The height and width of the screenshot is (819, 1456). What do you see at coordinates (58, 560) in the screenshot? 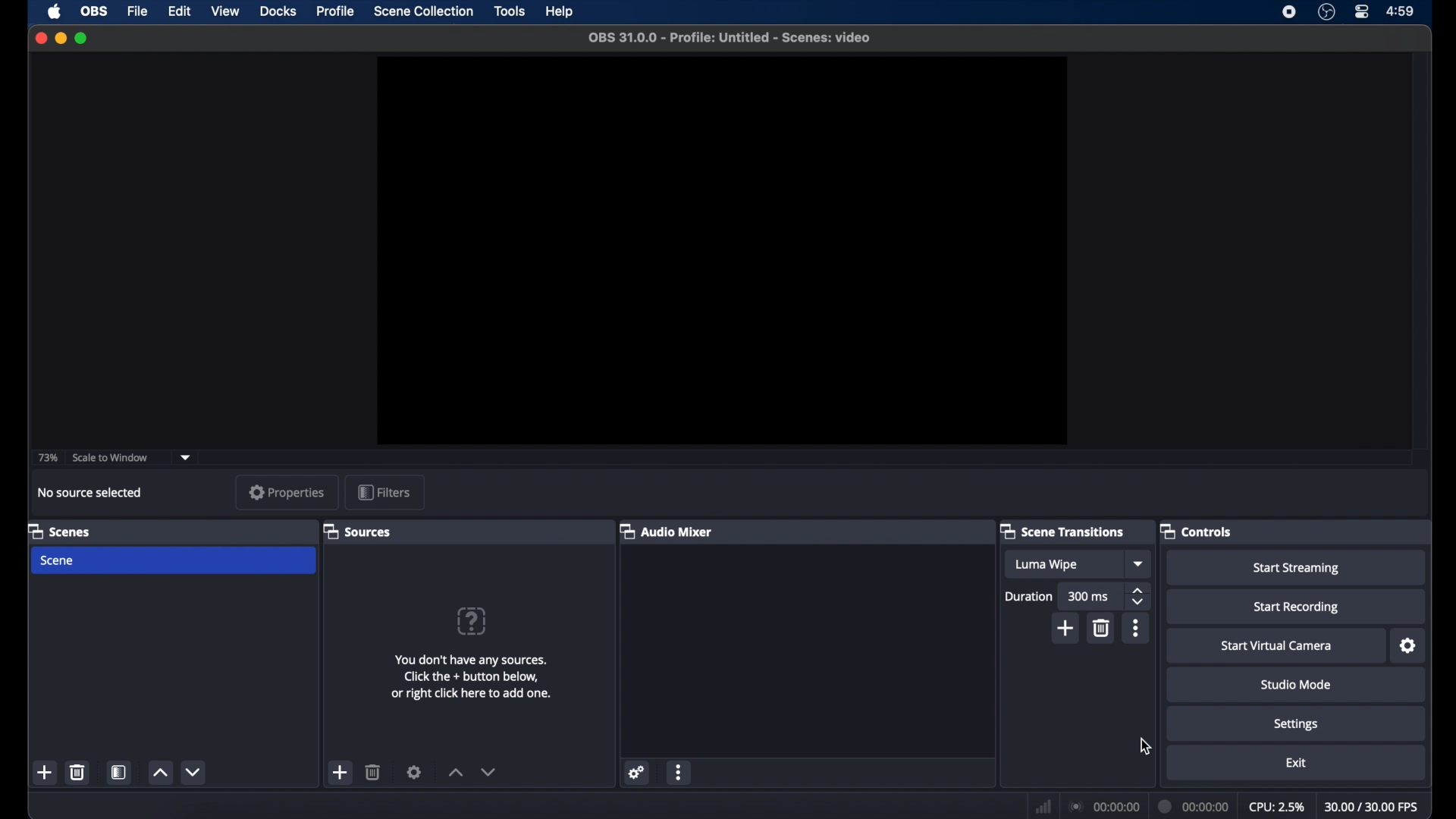
I see `scene` at bounding box center [58, 560].